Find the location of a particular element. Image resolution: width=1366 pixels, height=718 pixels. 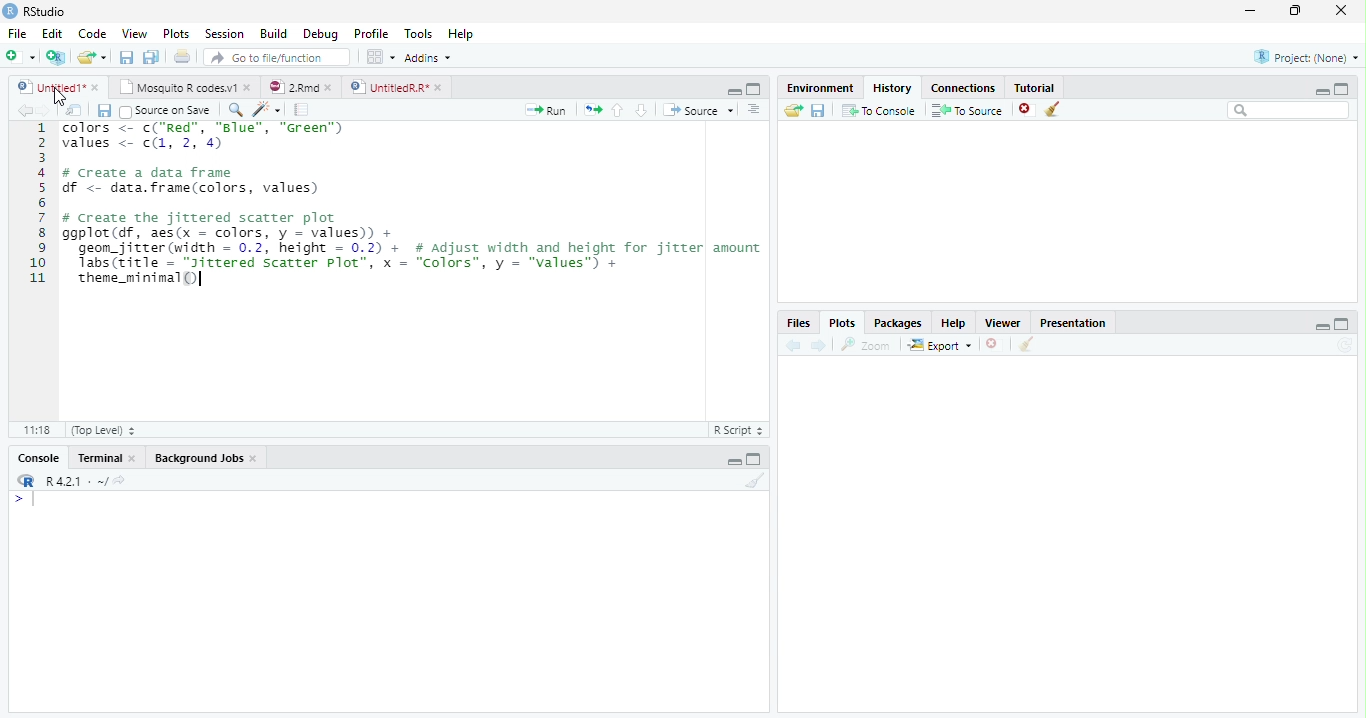

Untitled1* is located at coordinates (50, 88).